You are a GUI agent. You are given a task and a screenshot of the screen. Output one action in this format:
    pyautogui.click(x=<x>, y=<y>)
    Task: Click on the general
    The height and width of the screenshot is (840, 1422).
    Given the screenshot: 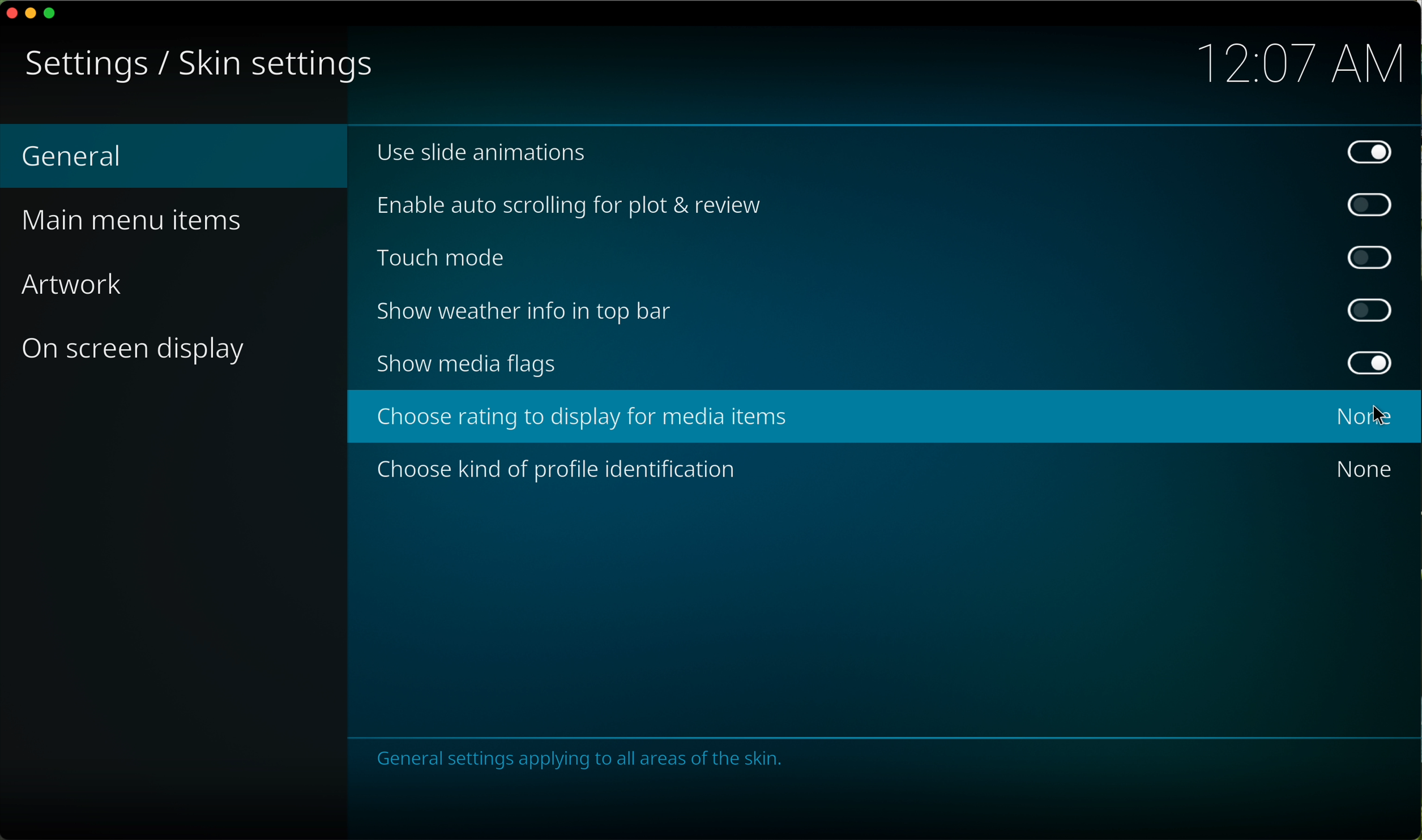 What is the action you would take?
    pyautogui.click(x=74, y=153)
    